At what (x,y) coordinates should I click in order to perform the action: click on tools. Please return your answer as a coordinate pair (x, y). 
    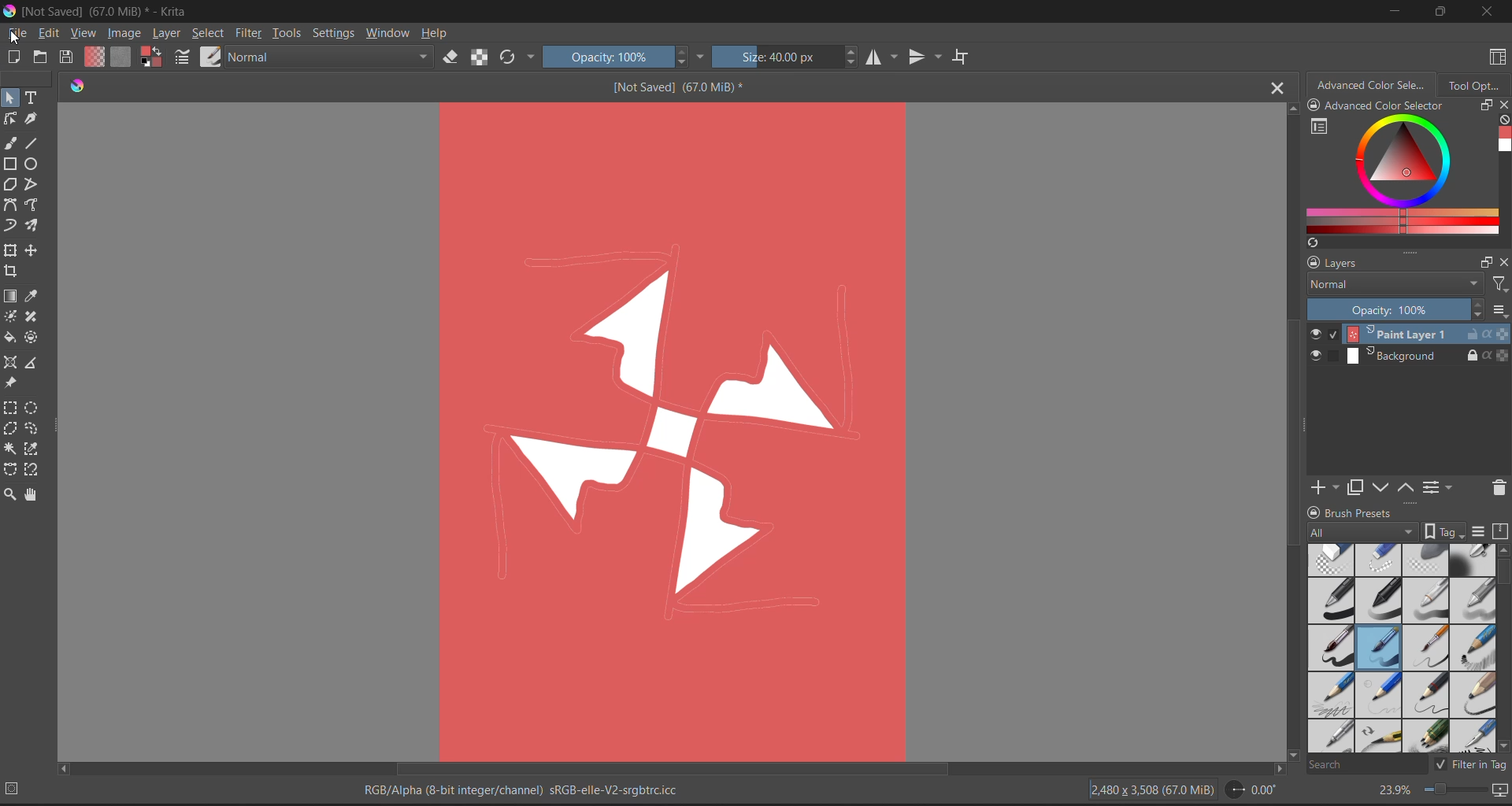
    Looking at the image, I should click on (9, 141).